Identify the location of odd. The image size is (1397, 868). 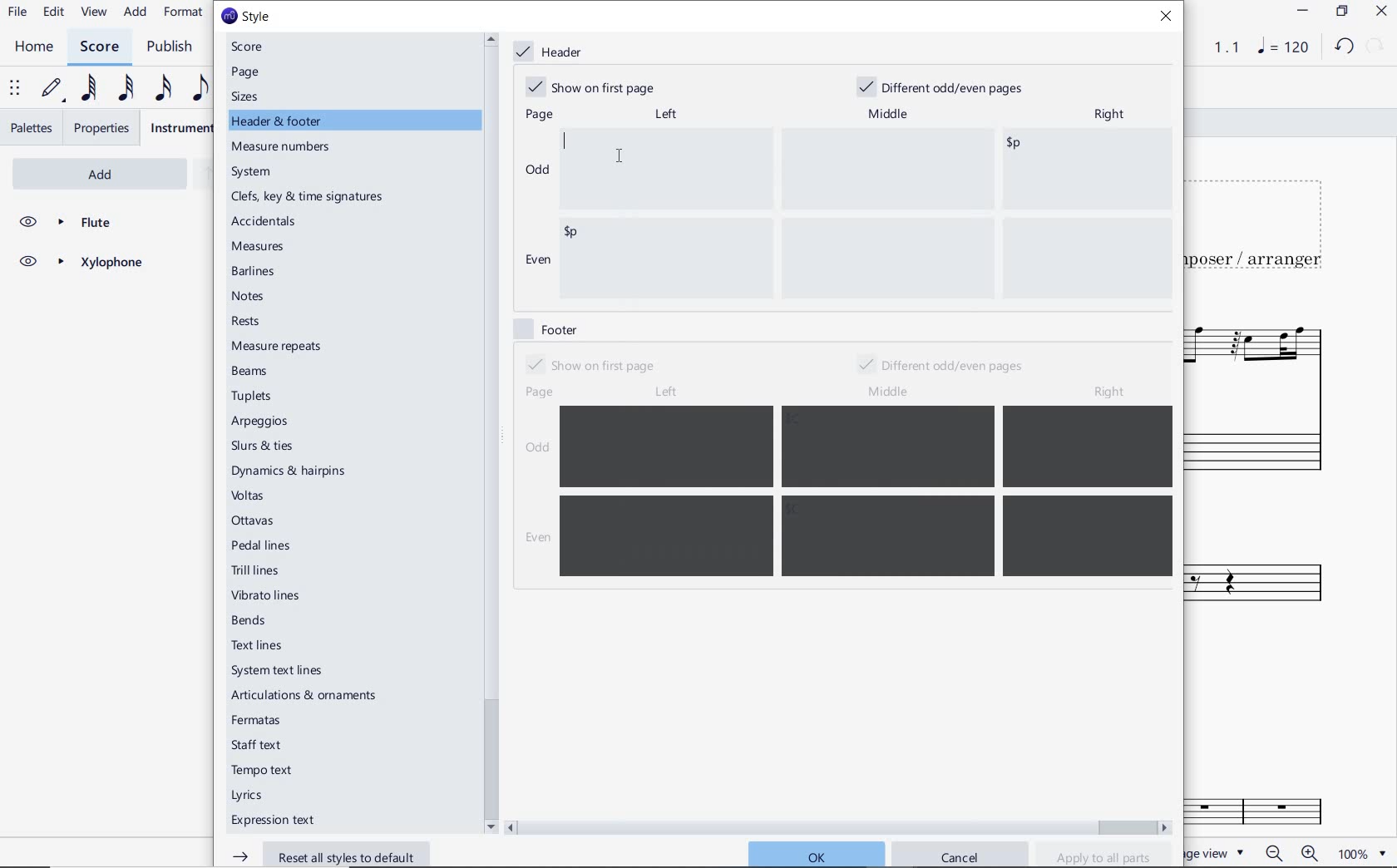
(538, 450).